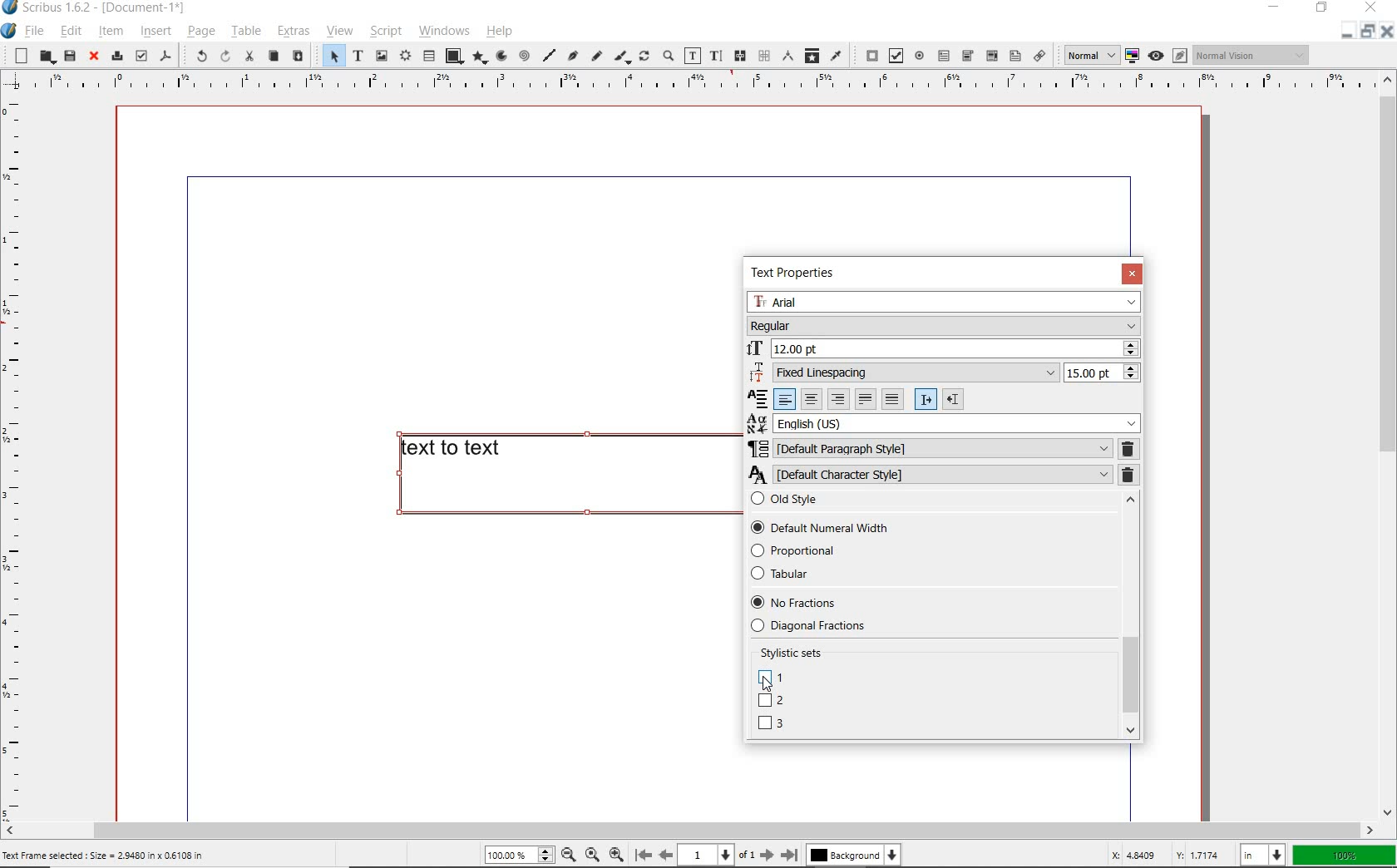 The width and height of the screenshot is (1397, 868). Describe the element at coordinates (1155, 55) in the screenshot. I see `Preview mode` at that location.